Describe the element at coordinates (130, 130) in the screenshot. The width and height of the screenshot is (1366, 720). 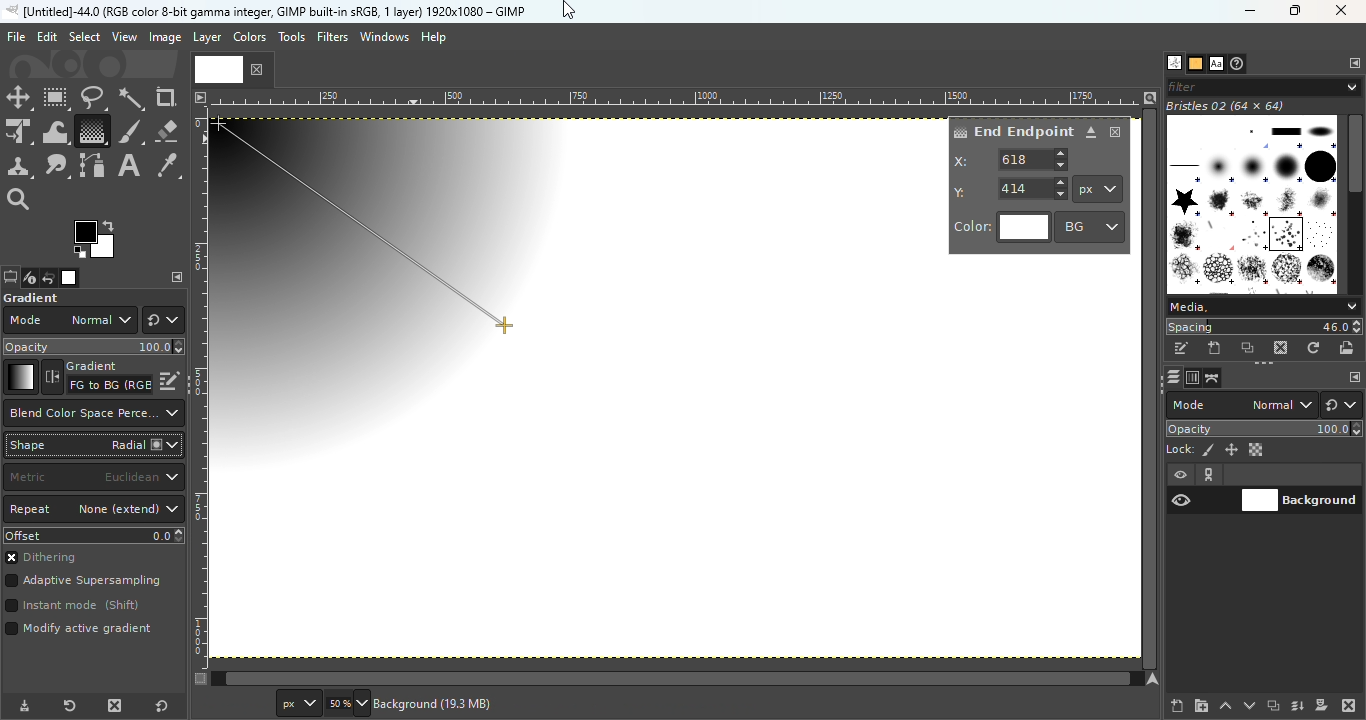
I see `Paint brush tool` at that location.